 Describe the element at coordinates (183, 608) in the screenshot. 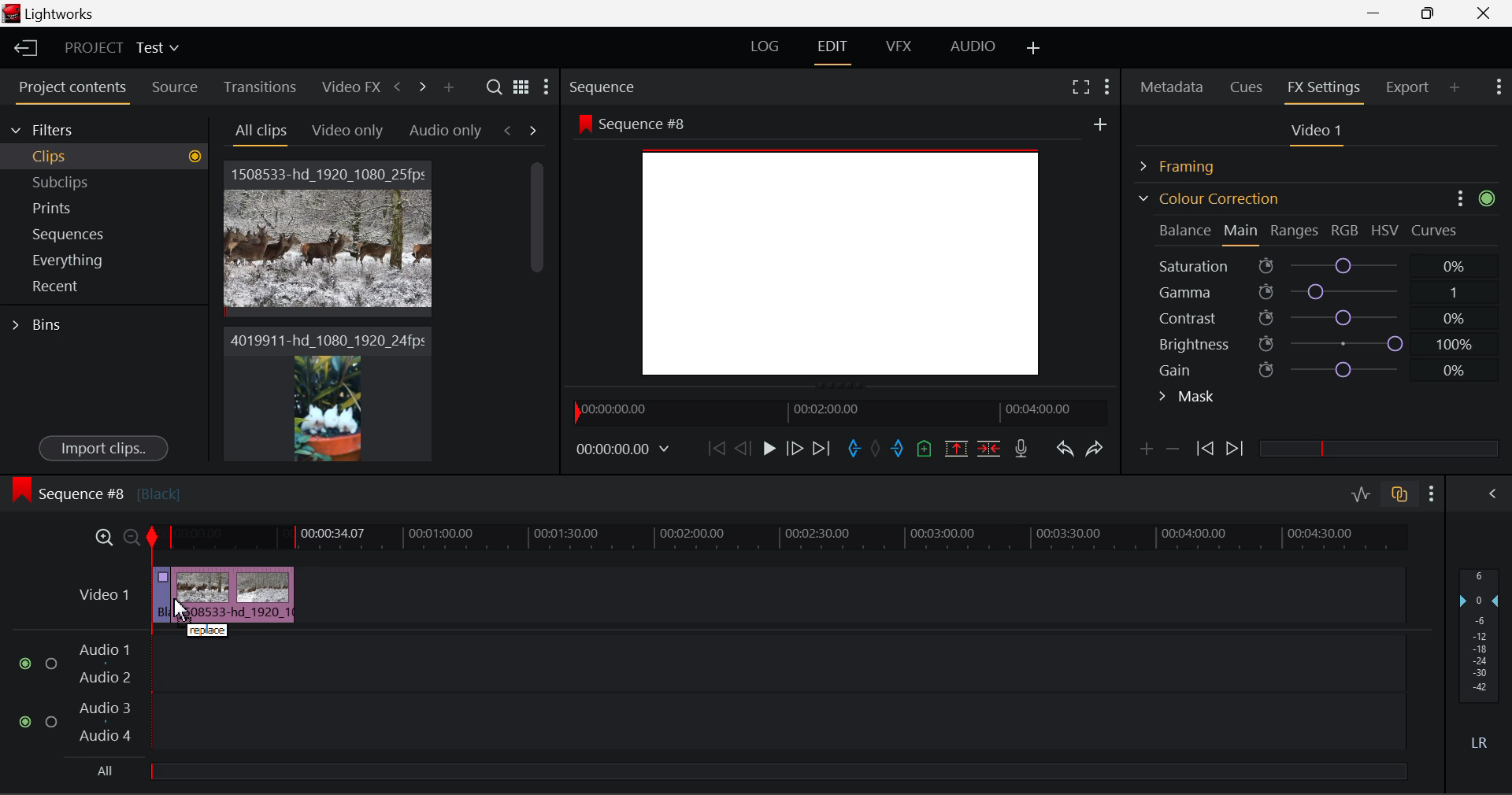

I see `DRAG_TO Cursor Position` at that location.